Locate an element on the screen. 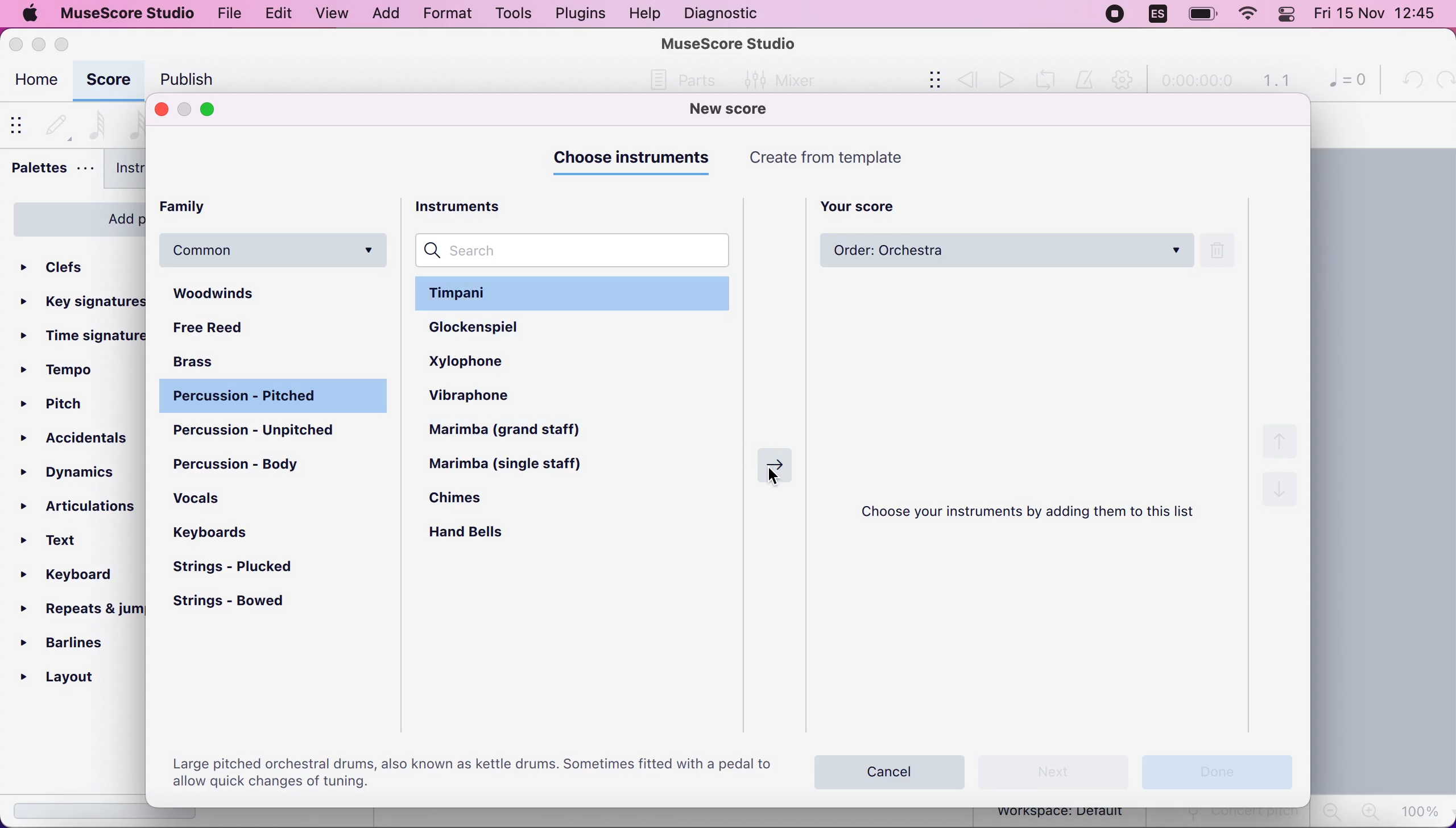  add palettes is located at coordinates (74, 217).